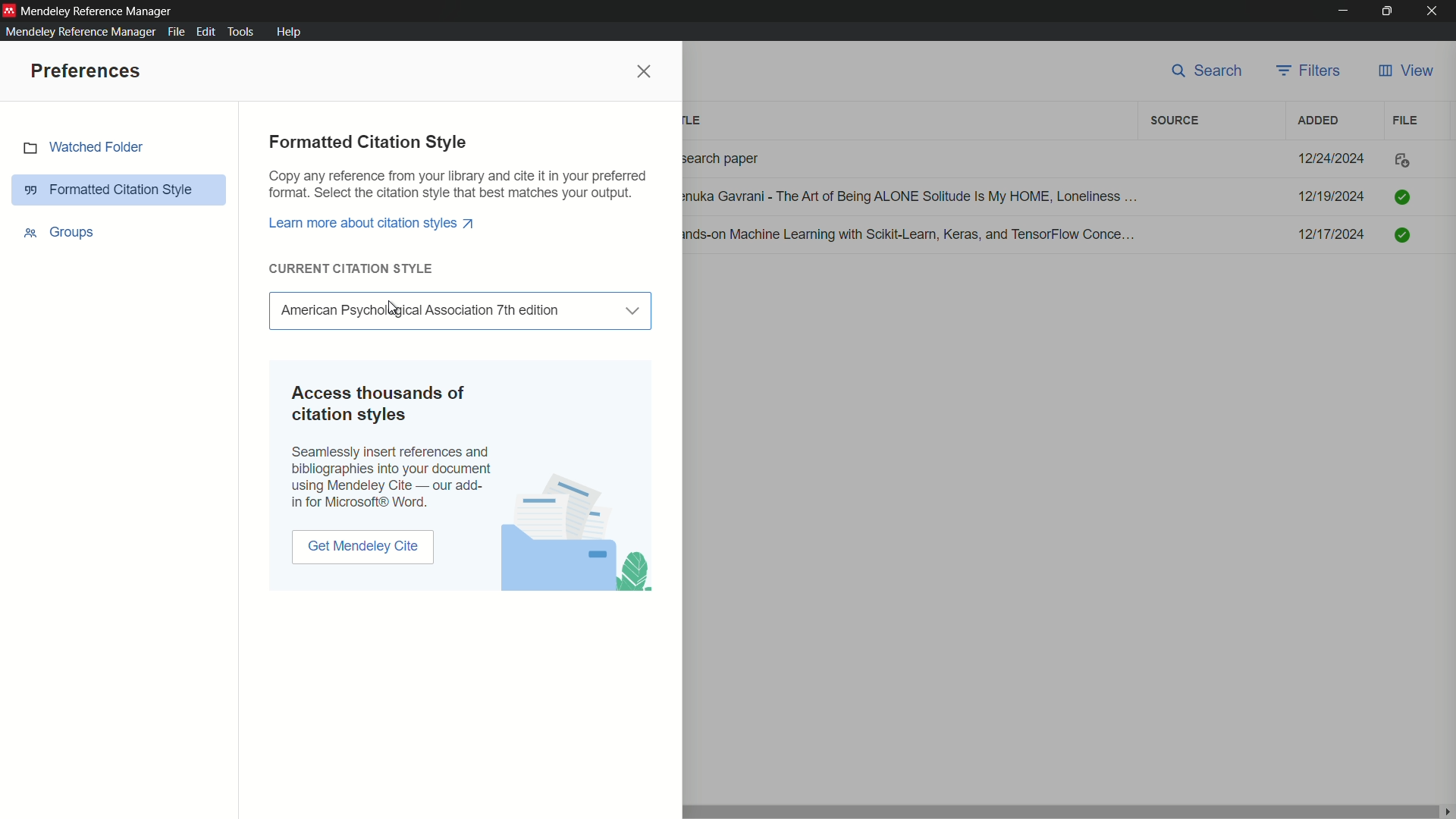 The width and height of the screenshot is (1456, 819). Describe the element at coordinates (647, 68) in the screenshot. I see `close` at that location.